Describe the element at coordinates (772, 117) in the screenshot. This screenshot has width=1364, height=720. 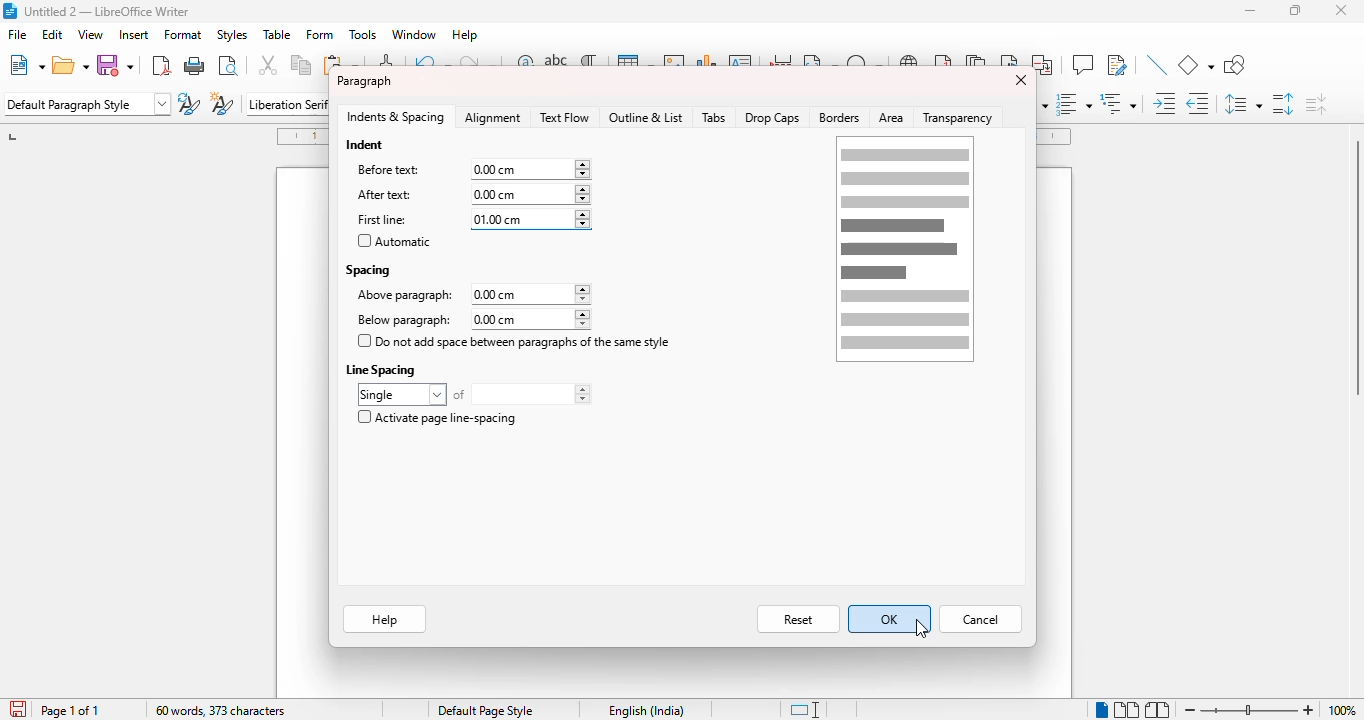
I see `drop caps` at that location.